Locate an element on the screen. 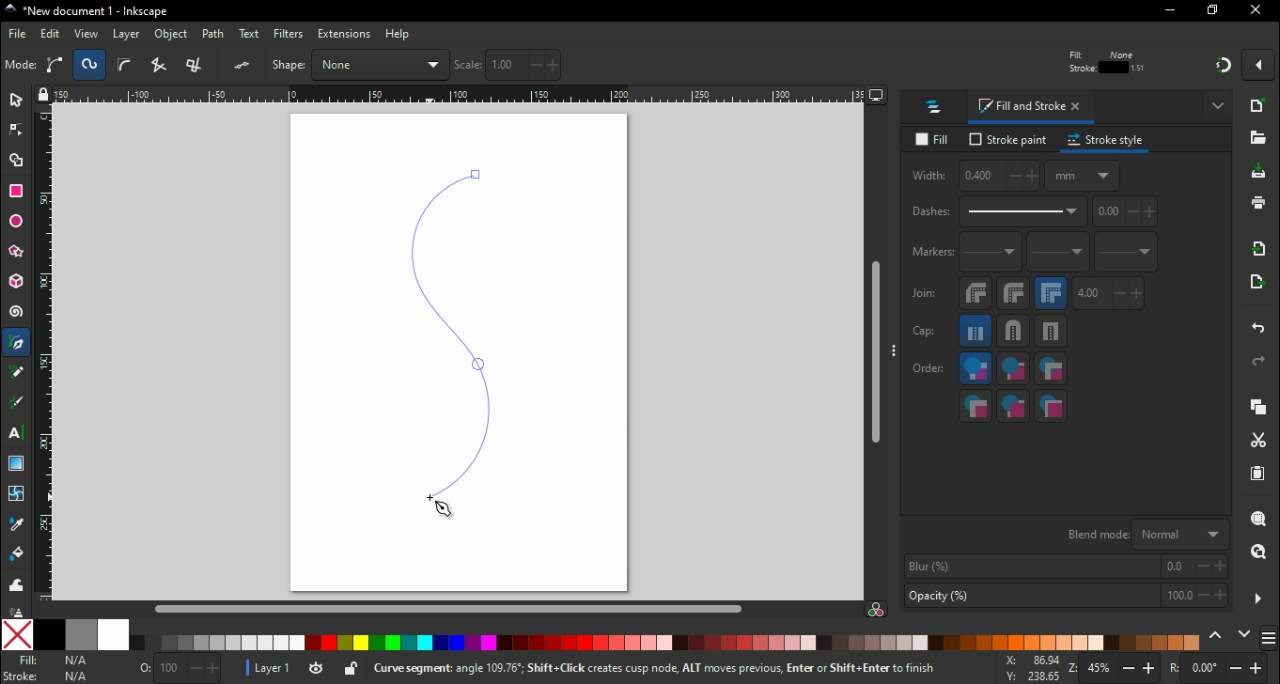 The height and width of the screenshot is (684, 1280). 50% grey is located at coordinates (83, 634).